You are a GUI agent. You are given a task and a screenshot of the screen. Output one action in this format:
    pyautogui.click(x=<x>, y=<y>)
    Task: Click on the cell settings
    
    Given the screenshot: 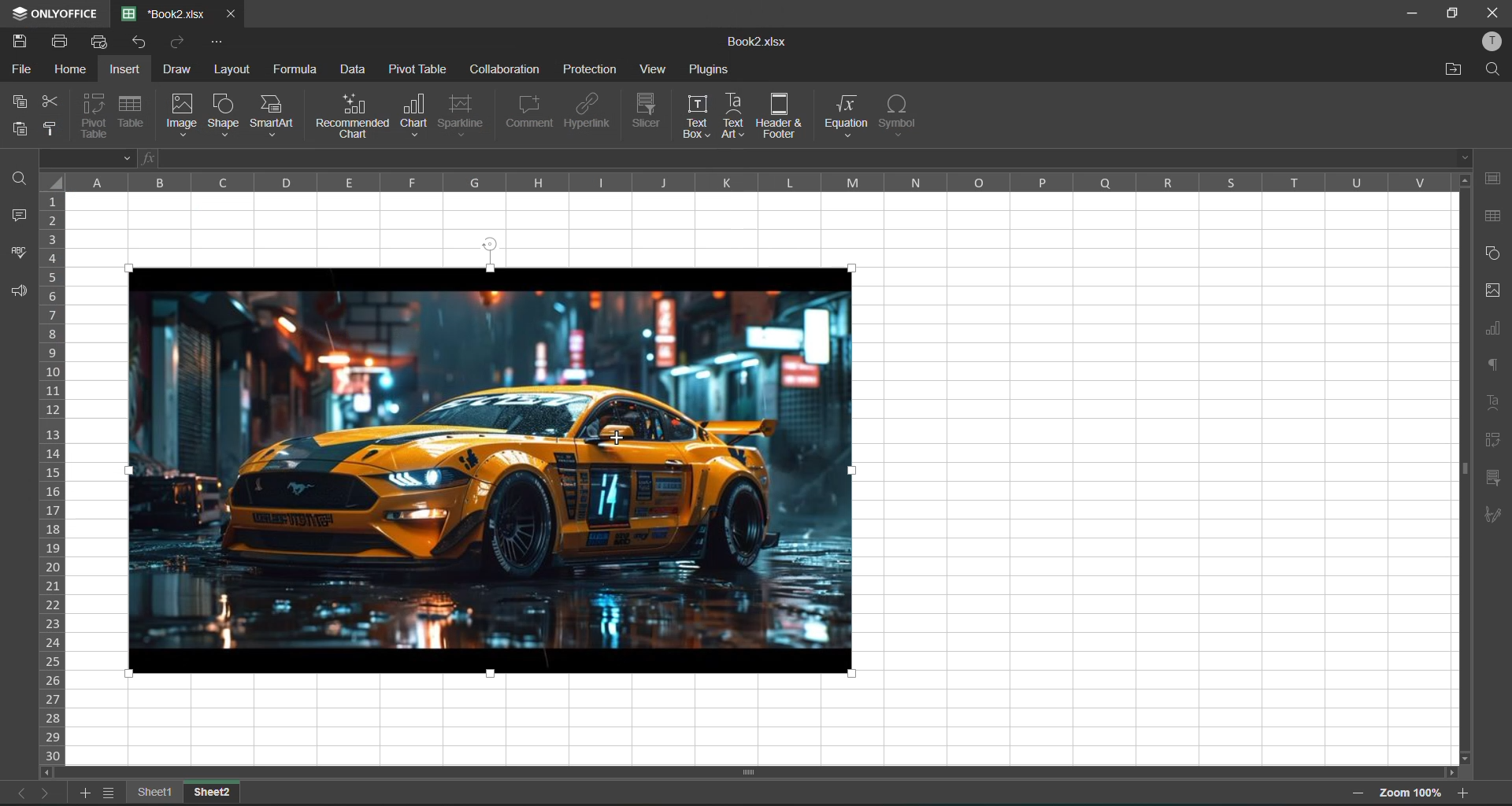 What is the action you would take?
    pyautogui.click(x=1495, y=179)
    